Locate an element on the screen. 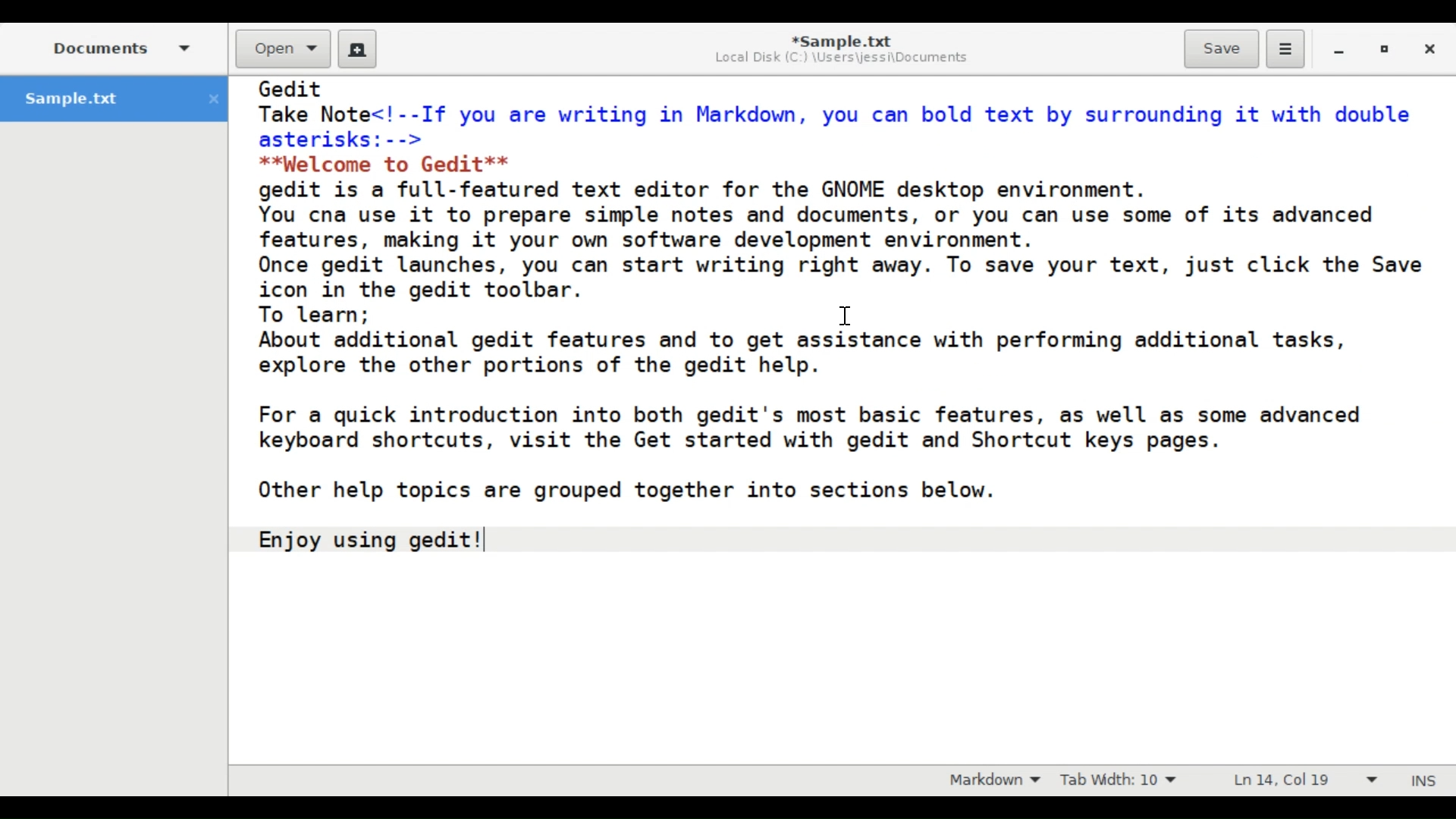 This screenshot has width=1456, height=819. Application menu is located at coordinates (1284, 49).